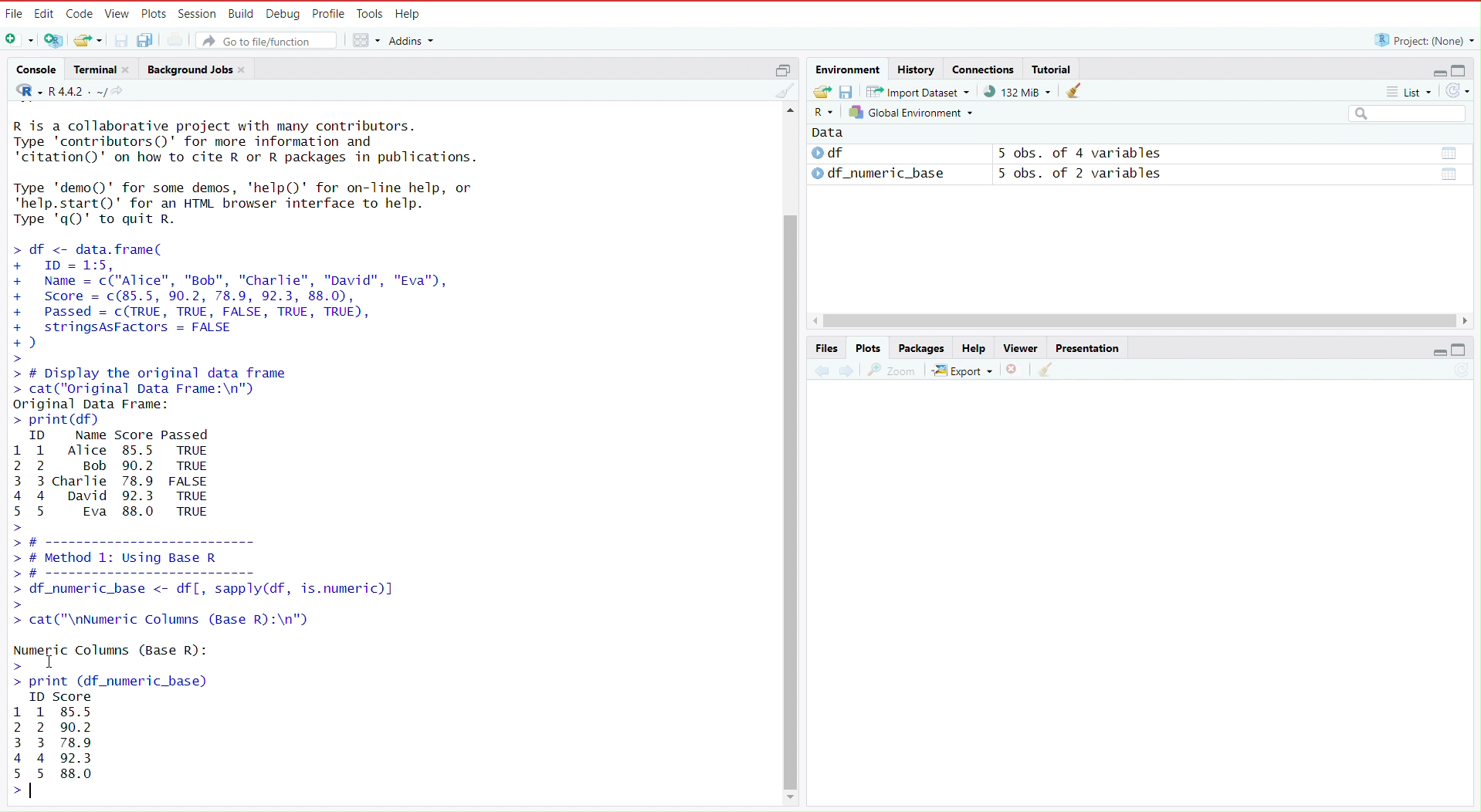  What do you see at coordinates (815, 371) in the screenshot?
I see `previous plot` at bounding box center [815, 371].